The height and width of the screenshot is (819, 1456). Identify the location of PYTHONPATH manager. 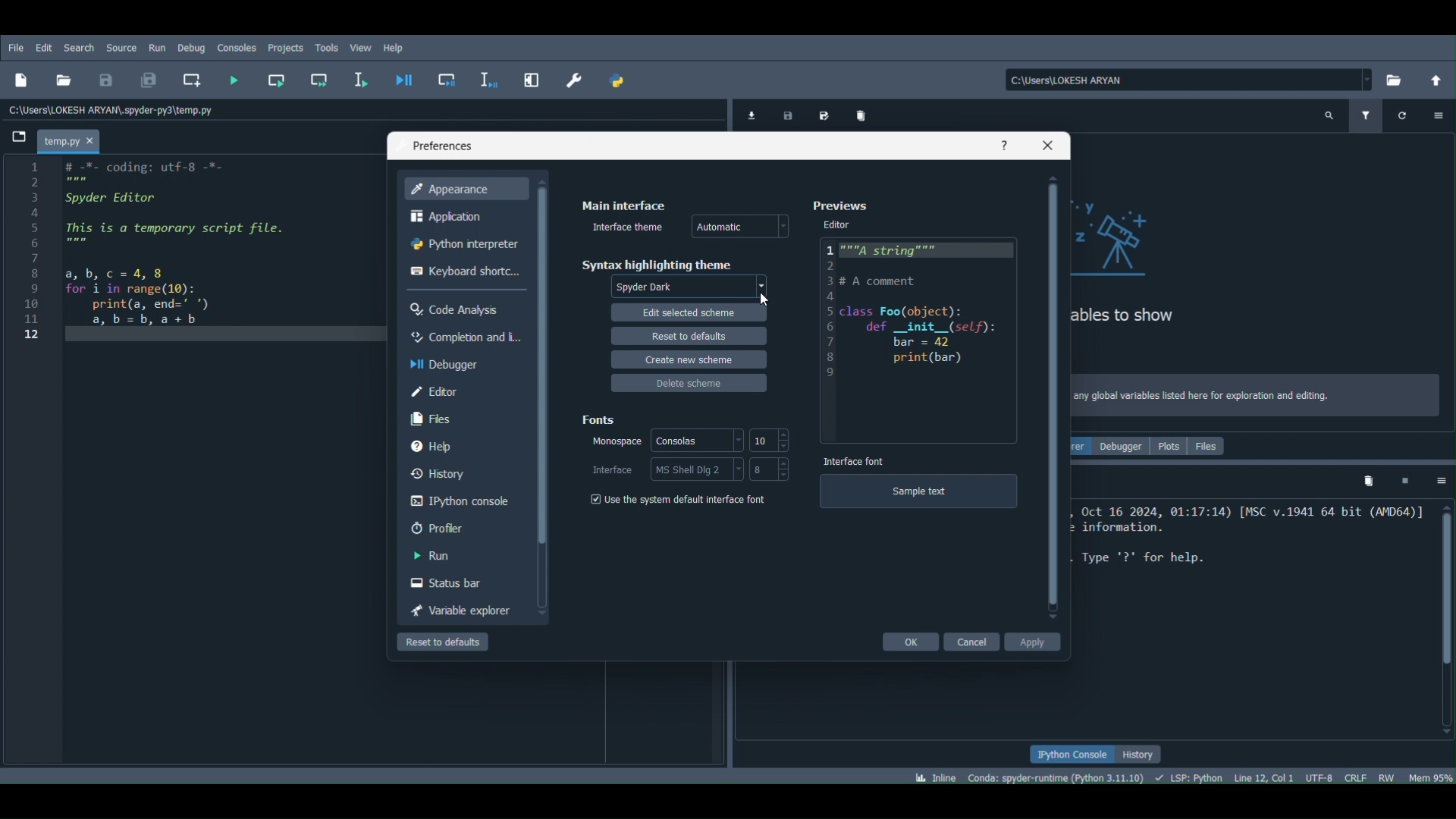
(624, 80).